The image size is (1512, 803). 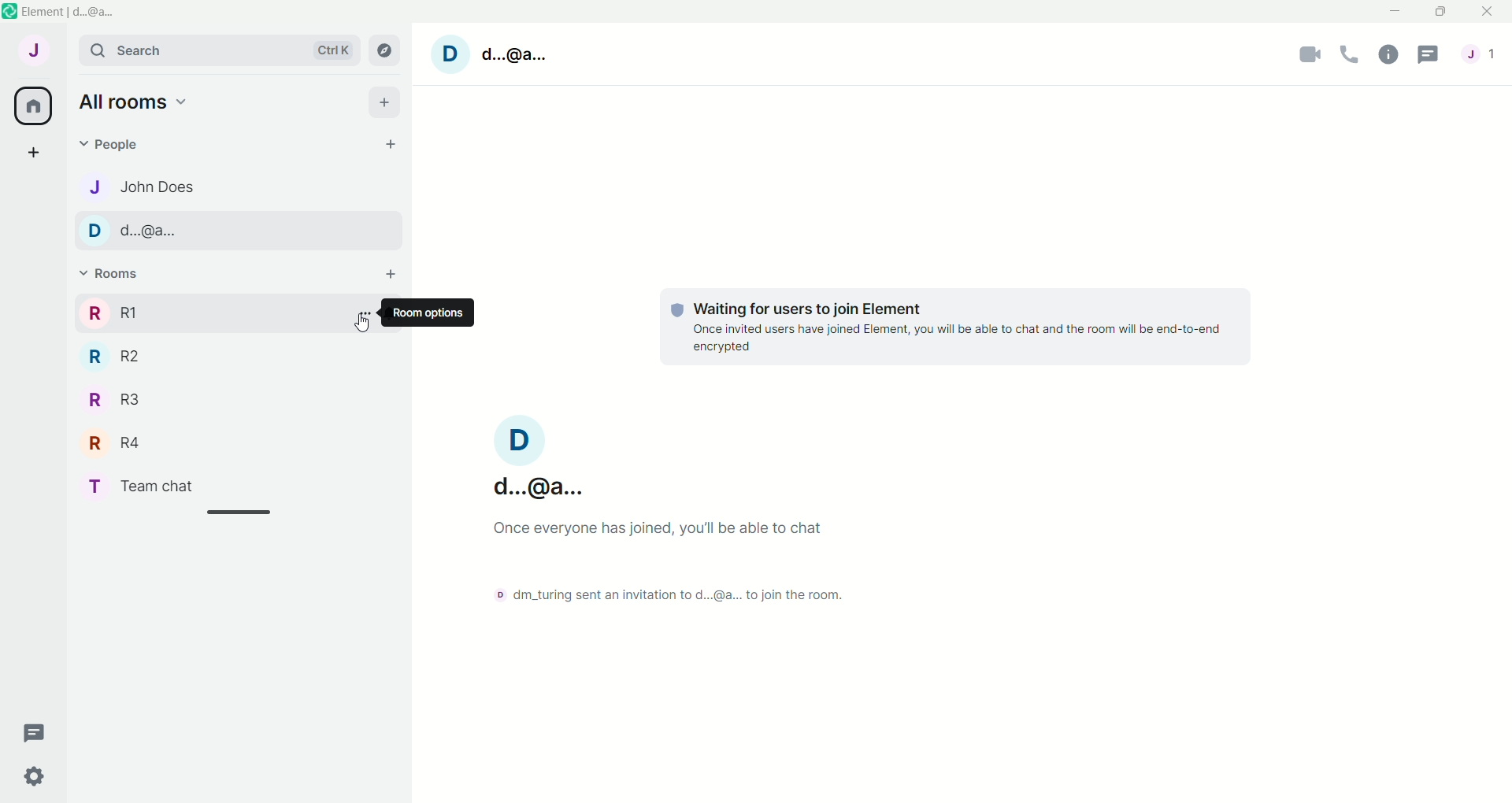 I want to click on rooms, so click(x=110, y=274).